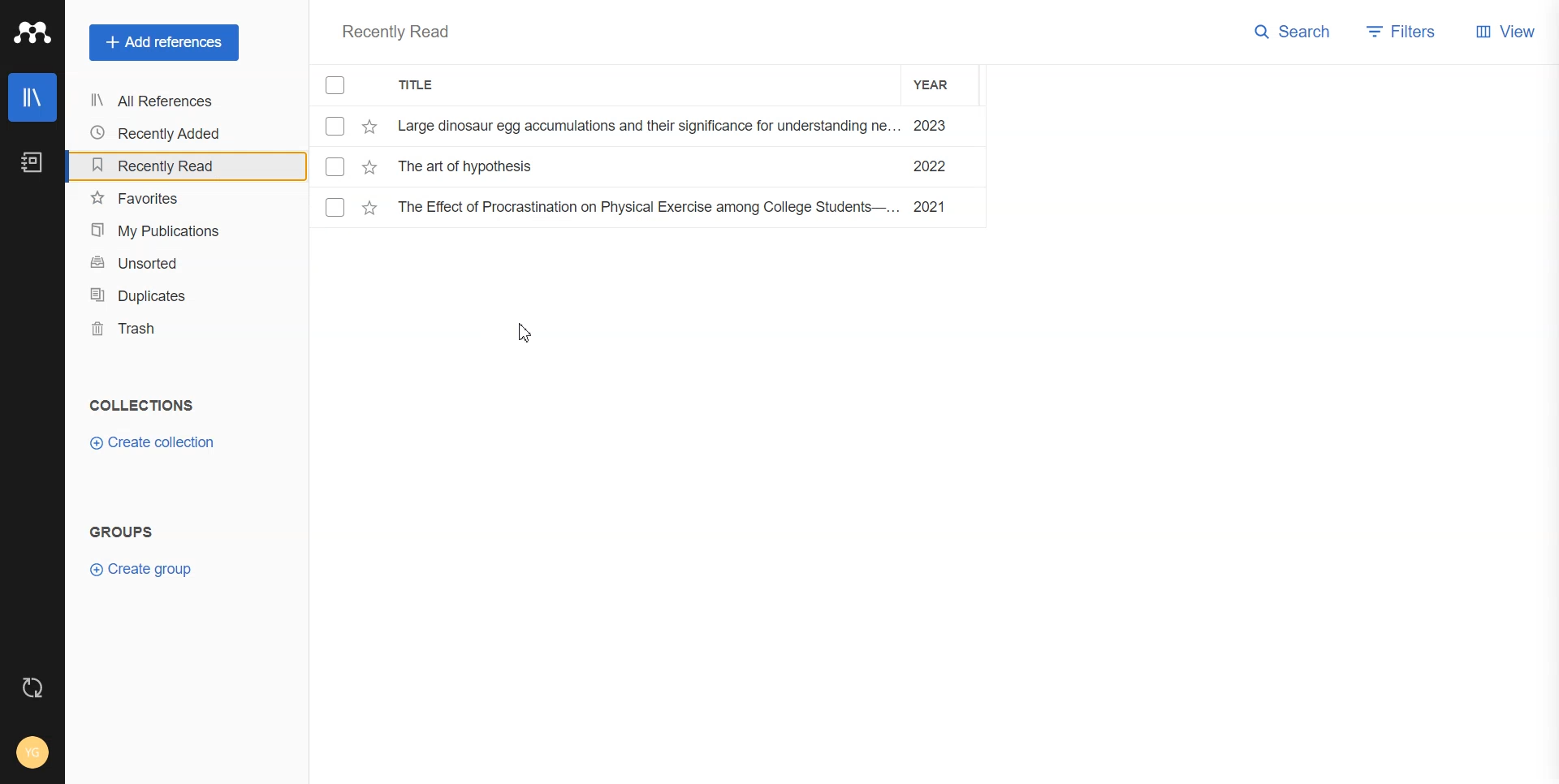 The image size is (1559, 784). Describe the element at coordinates (649, 126) in the screenshot. I see `File` at that location.